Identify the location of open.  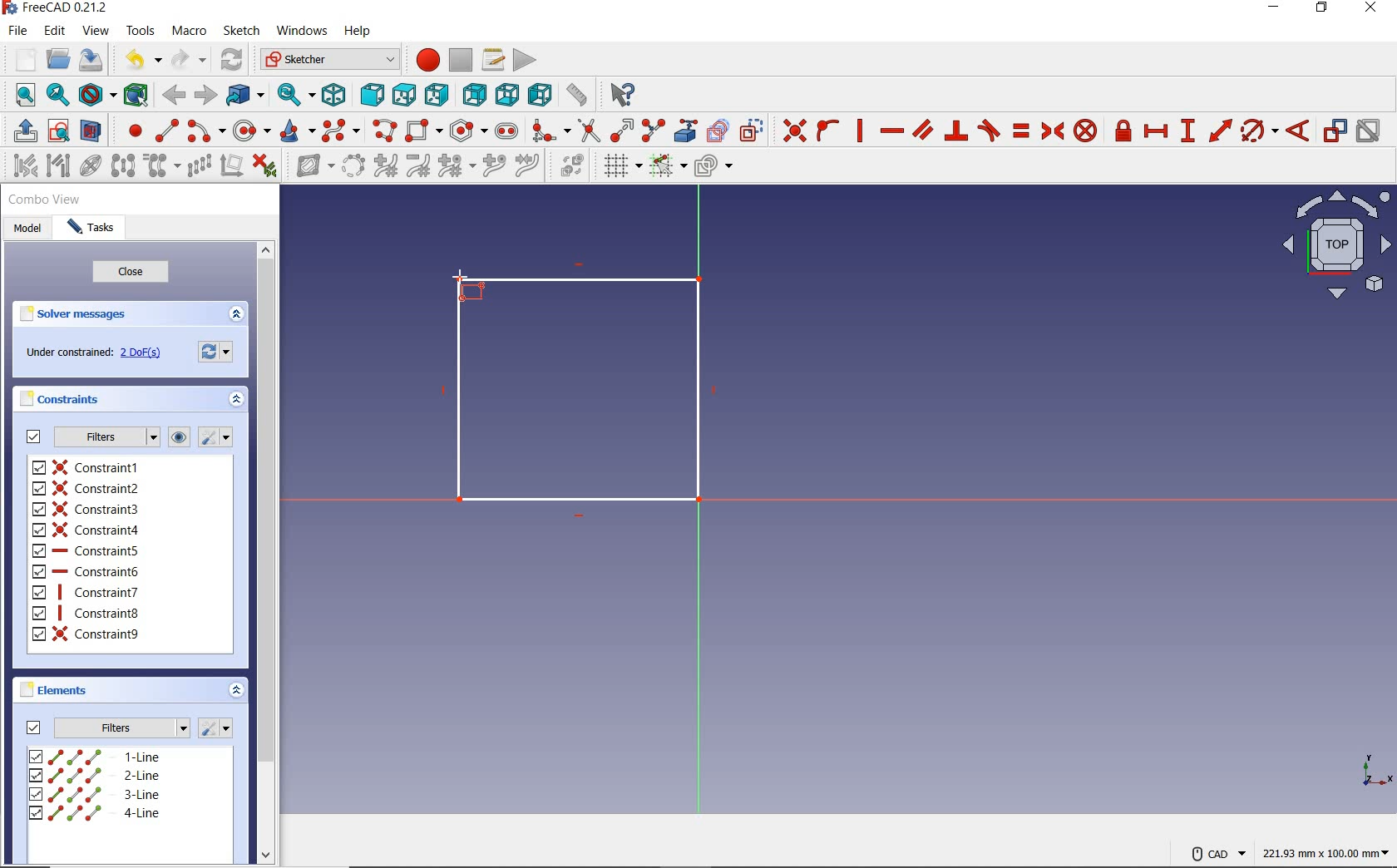
(57, 60).